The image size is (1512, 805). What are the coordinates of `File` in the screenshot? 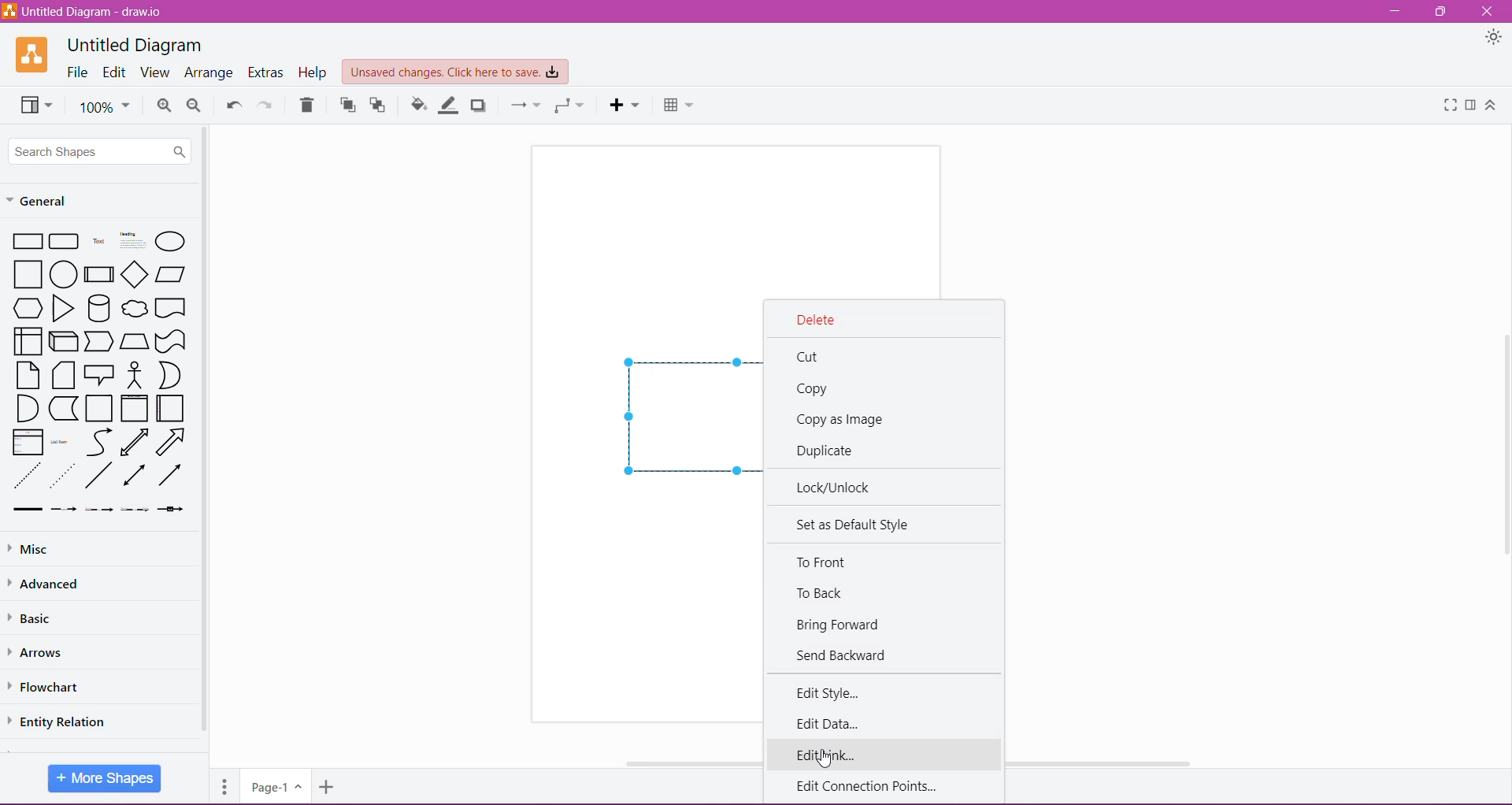 It's located at (76, 72).